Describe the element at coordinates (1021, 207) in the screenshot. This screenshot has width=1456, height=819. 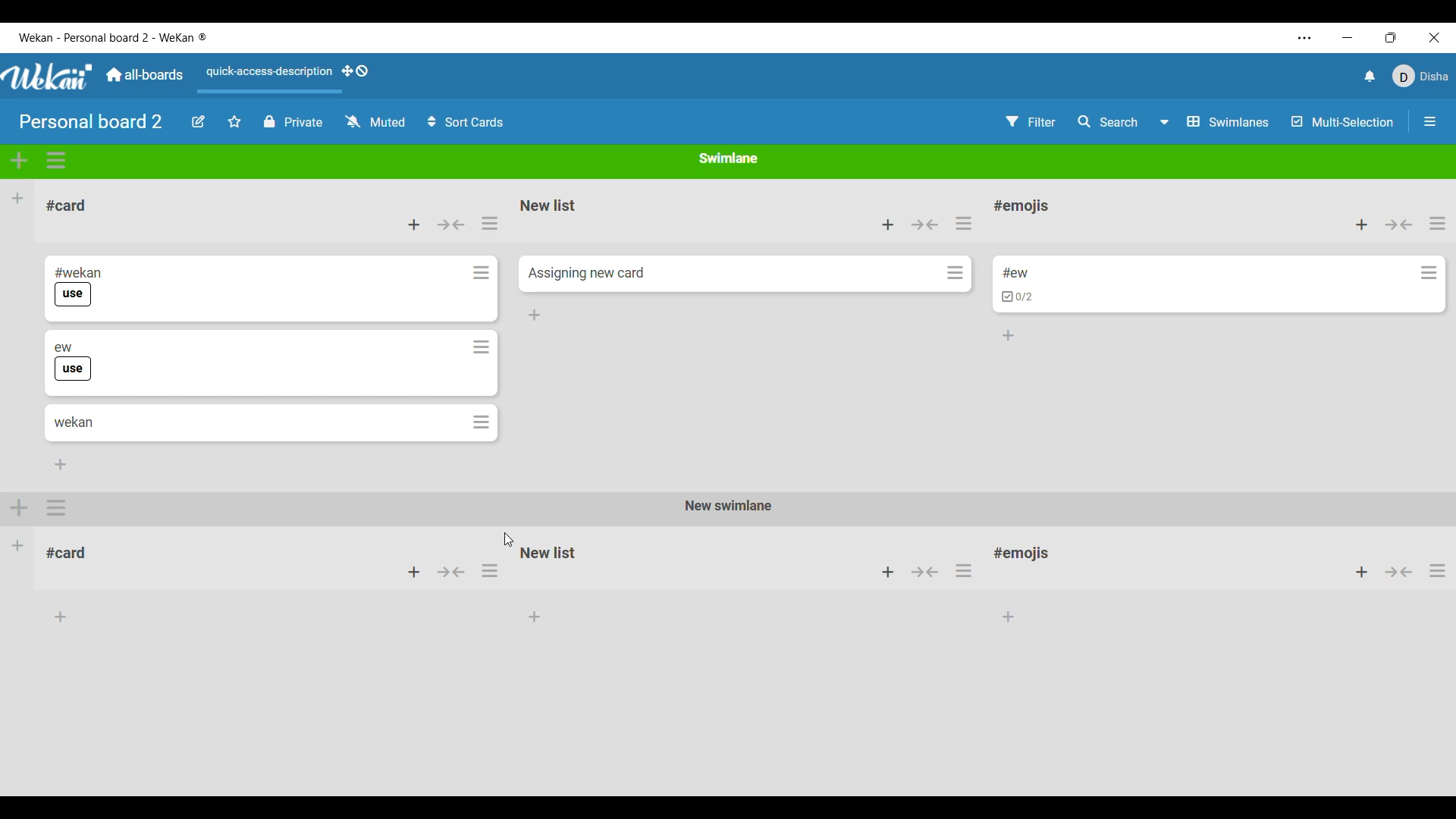
I see `List name` at that location.